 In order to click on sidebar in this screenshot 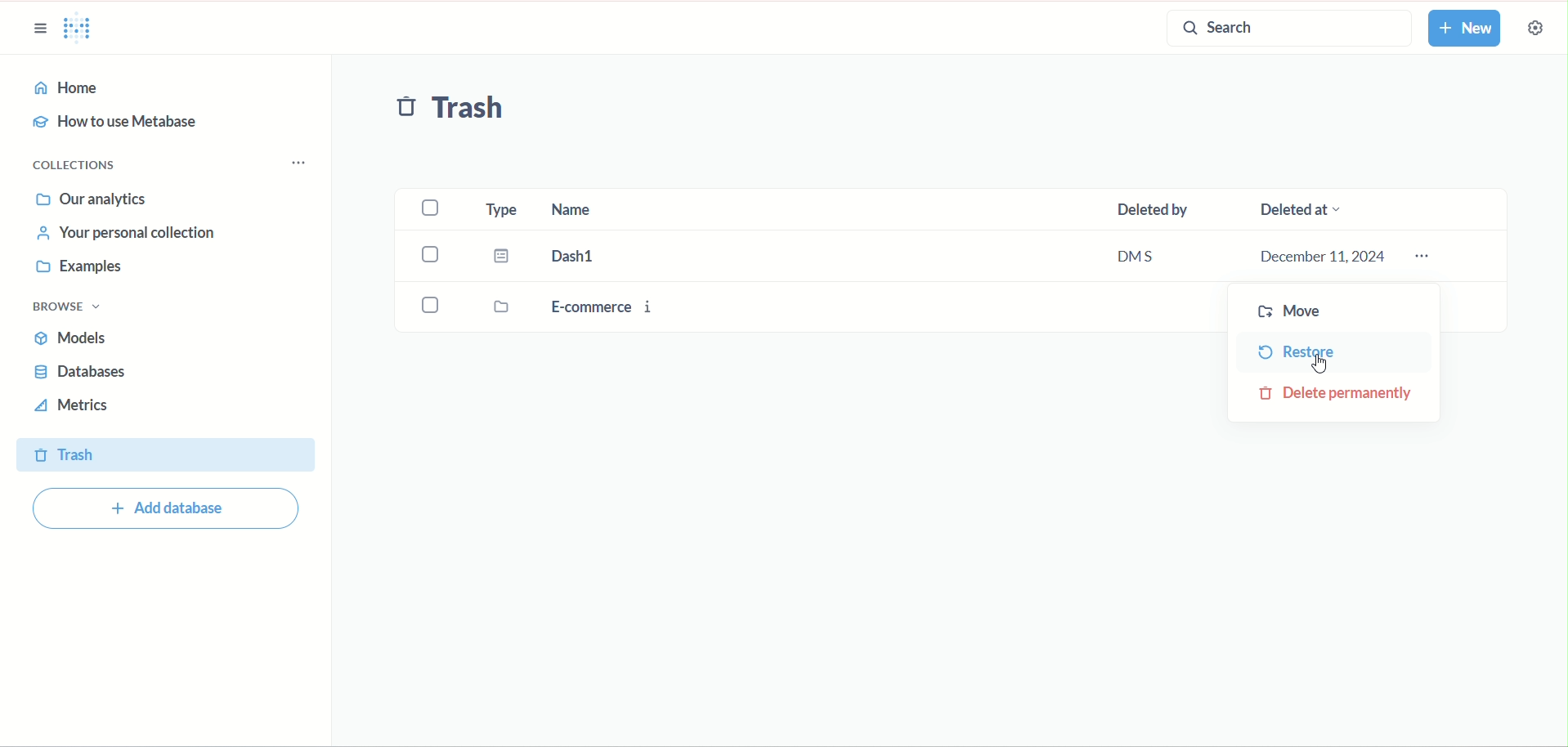, I will do `click(40, 30)`.